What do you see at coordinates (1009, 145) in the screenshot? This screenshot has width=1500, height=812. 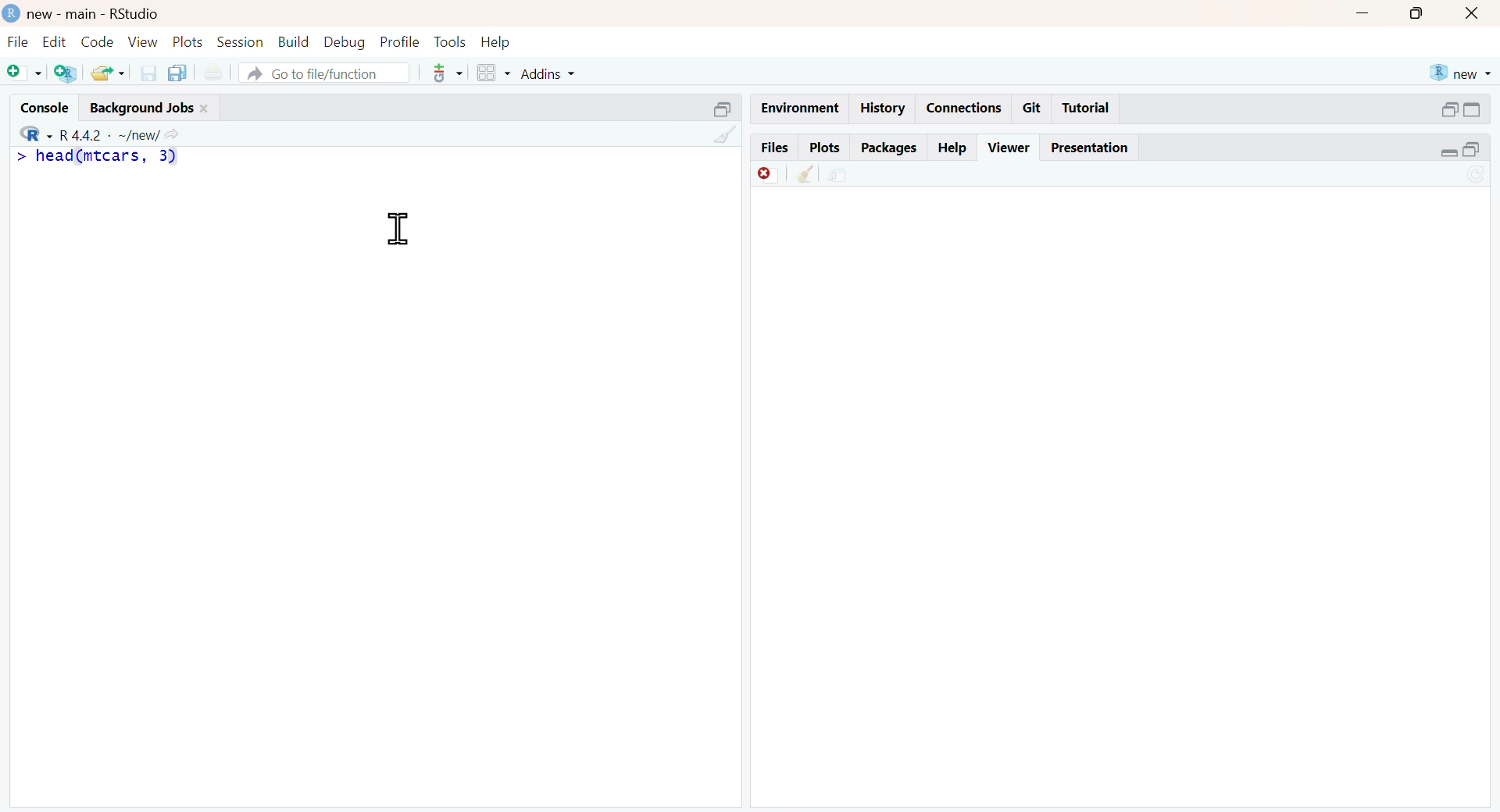 I see `Viewer` at bounding box center [1009, 145].